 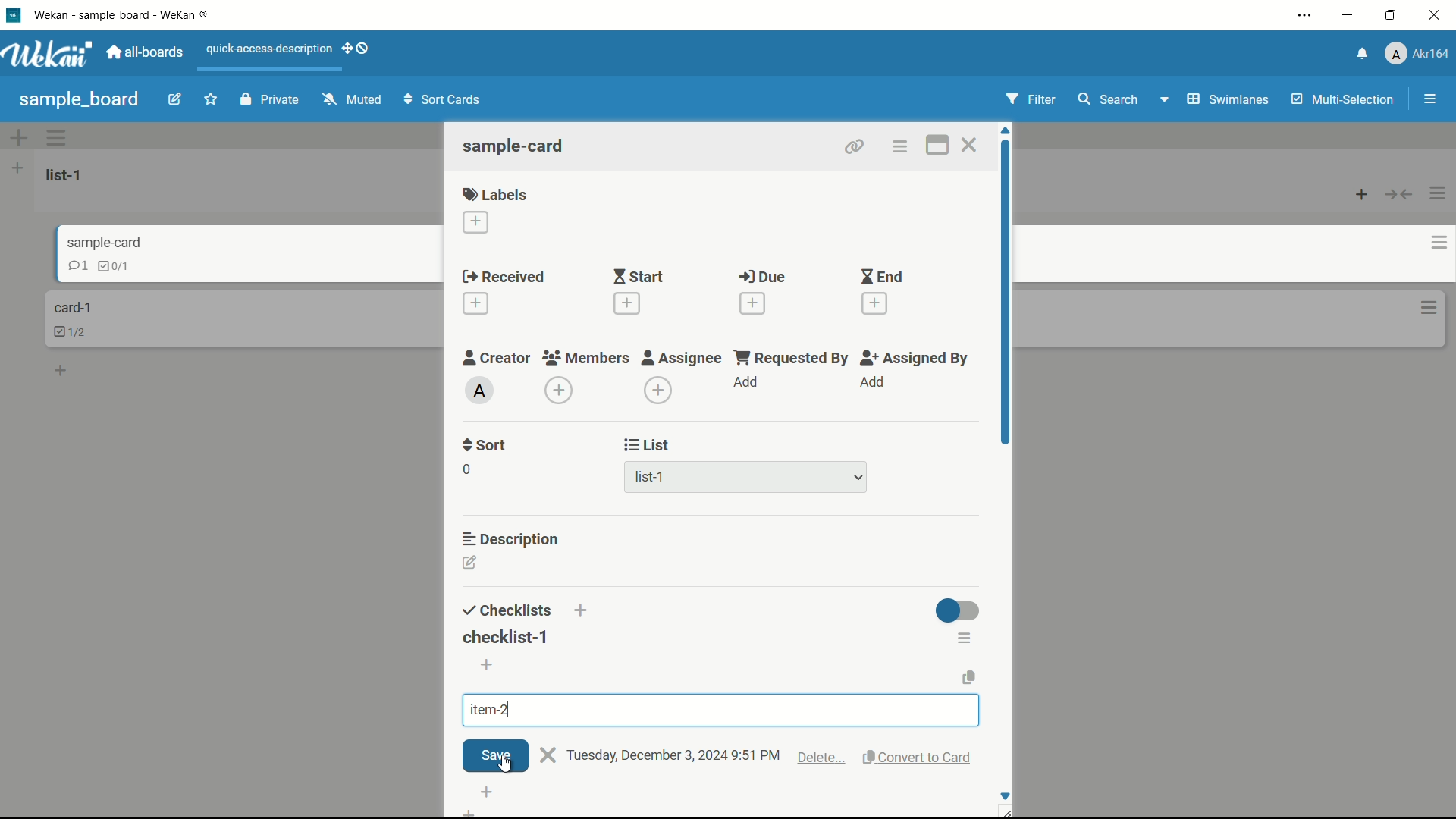 I want to click on list-1, so click(x=745, y=476).